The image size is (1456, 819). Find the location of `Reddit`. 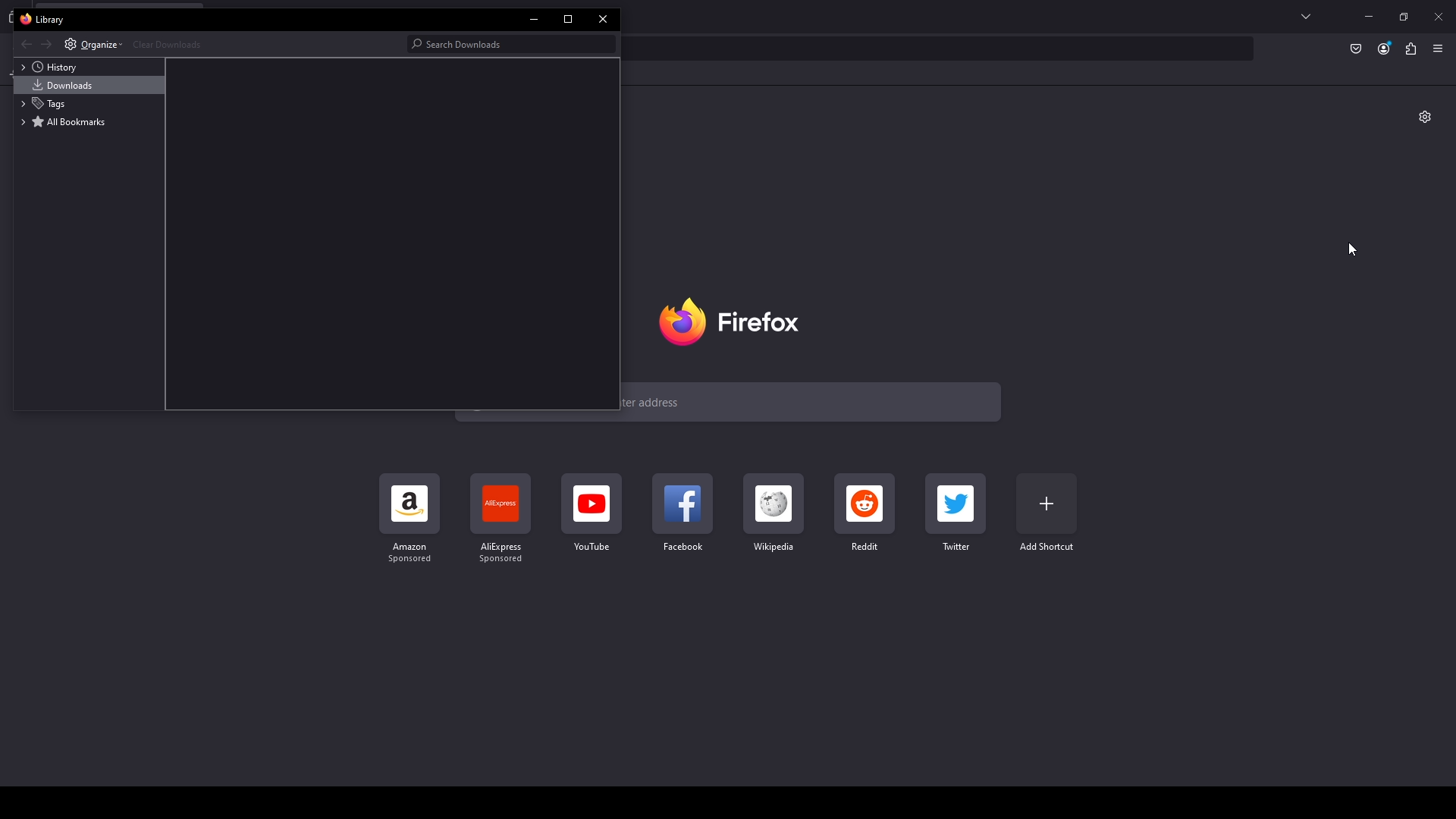

Reddit is located at coordinates (865, 513).